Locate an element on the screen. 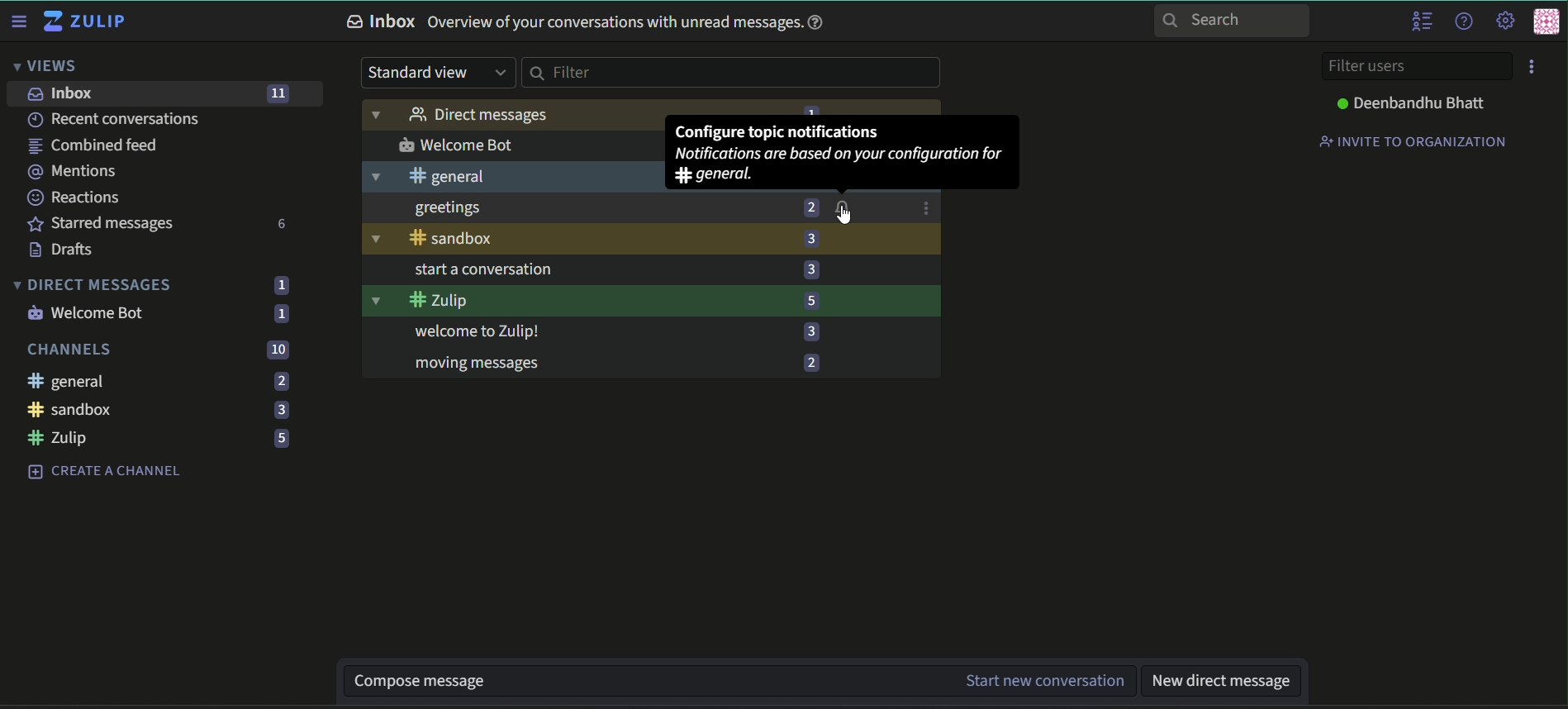 The image size is (1568, 709). number is located at coordinates (814, 362).